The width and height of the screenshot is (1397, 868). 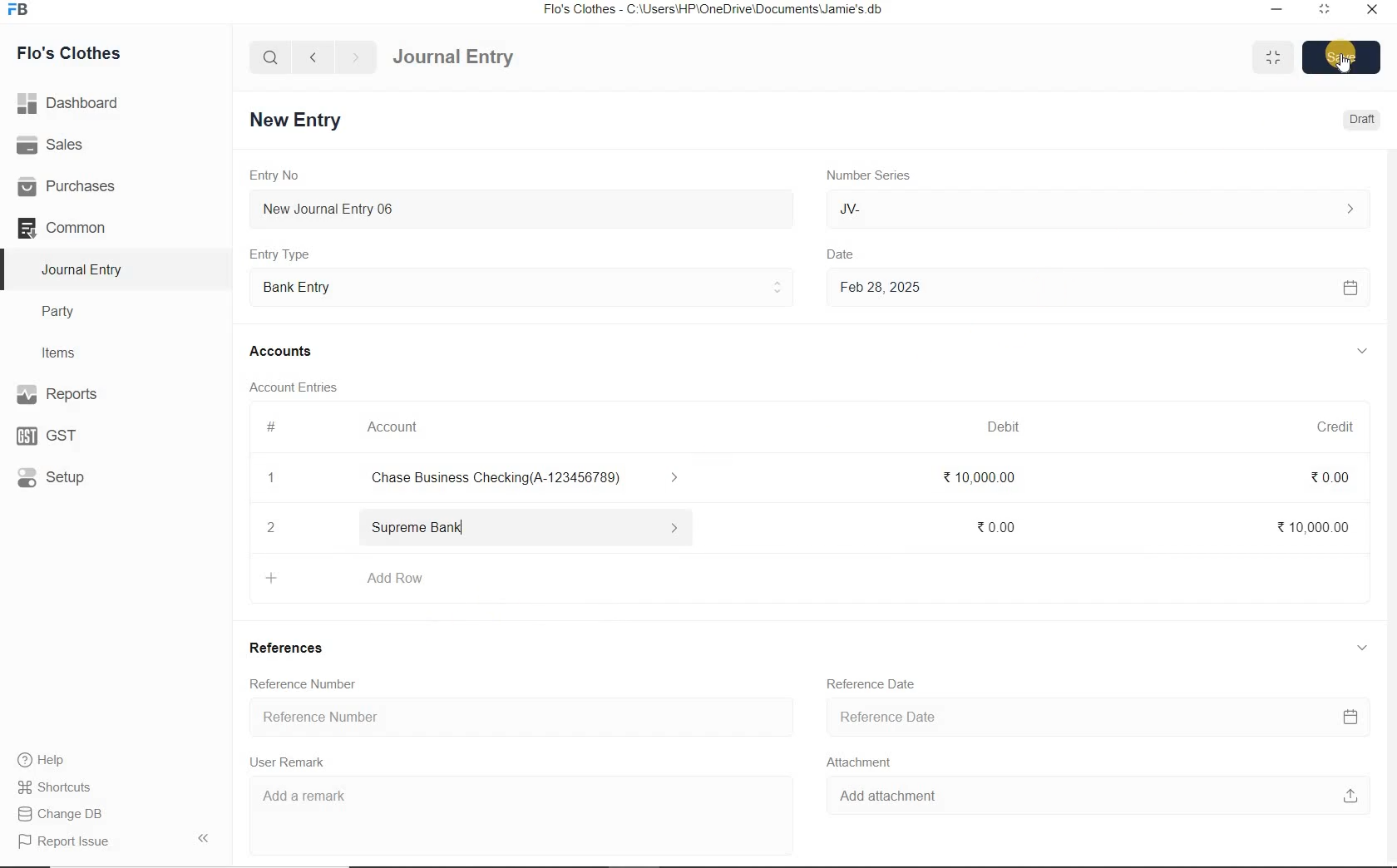 What do you see at coordinates (54, 434) in the screenshot?
I see `GST` at bounding box center [54, 434].